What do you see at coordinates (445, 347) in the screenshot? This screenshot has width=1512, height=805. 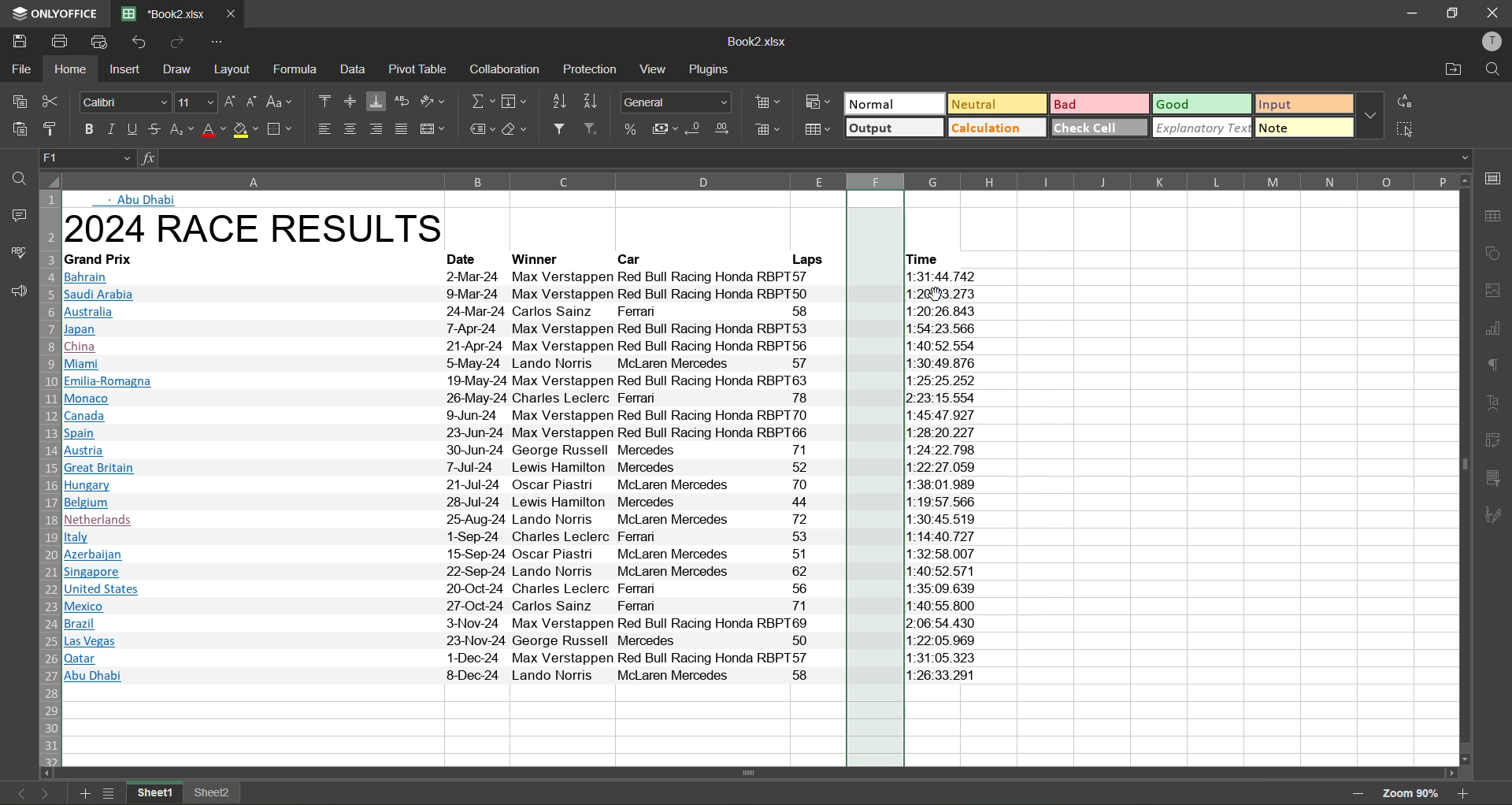 I see `China 21-Apr-24 Max Verstappen Red Bull Racing Honda RBPT56 1:40:52. 554` at bounding box center [445, 347].